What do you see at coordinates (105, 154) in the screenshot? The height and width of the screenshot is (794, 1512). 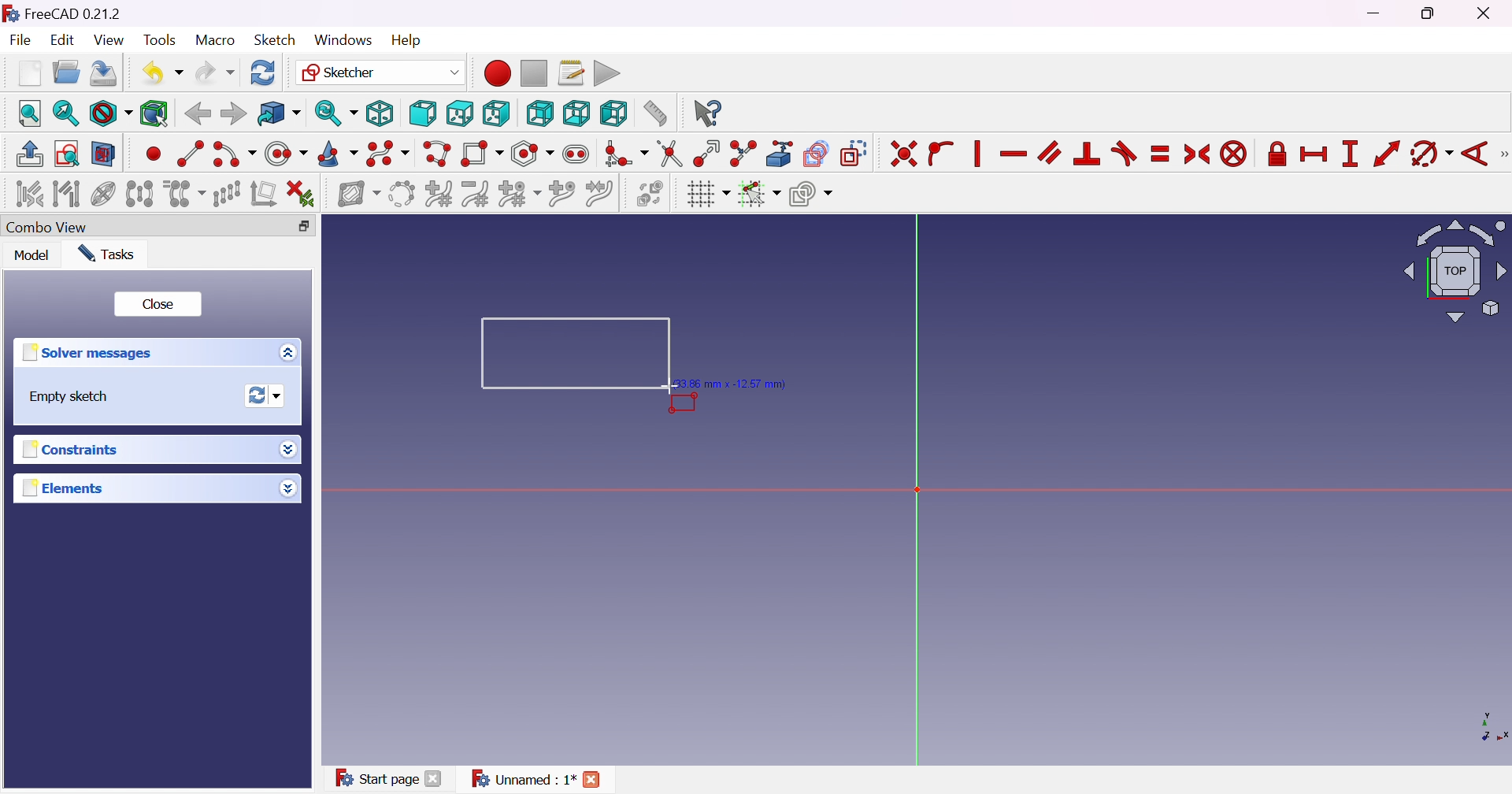 I see `View section` at bounding box center [105, 154].